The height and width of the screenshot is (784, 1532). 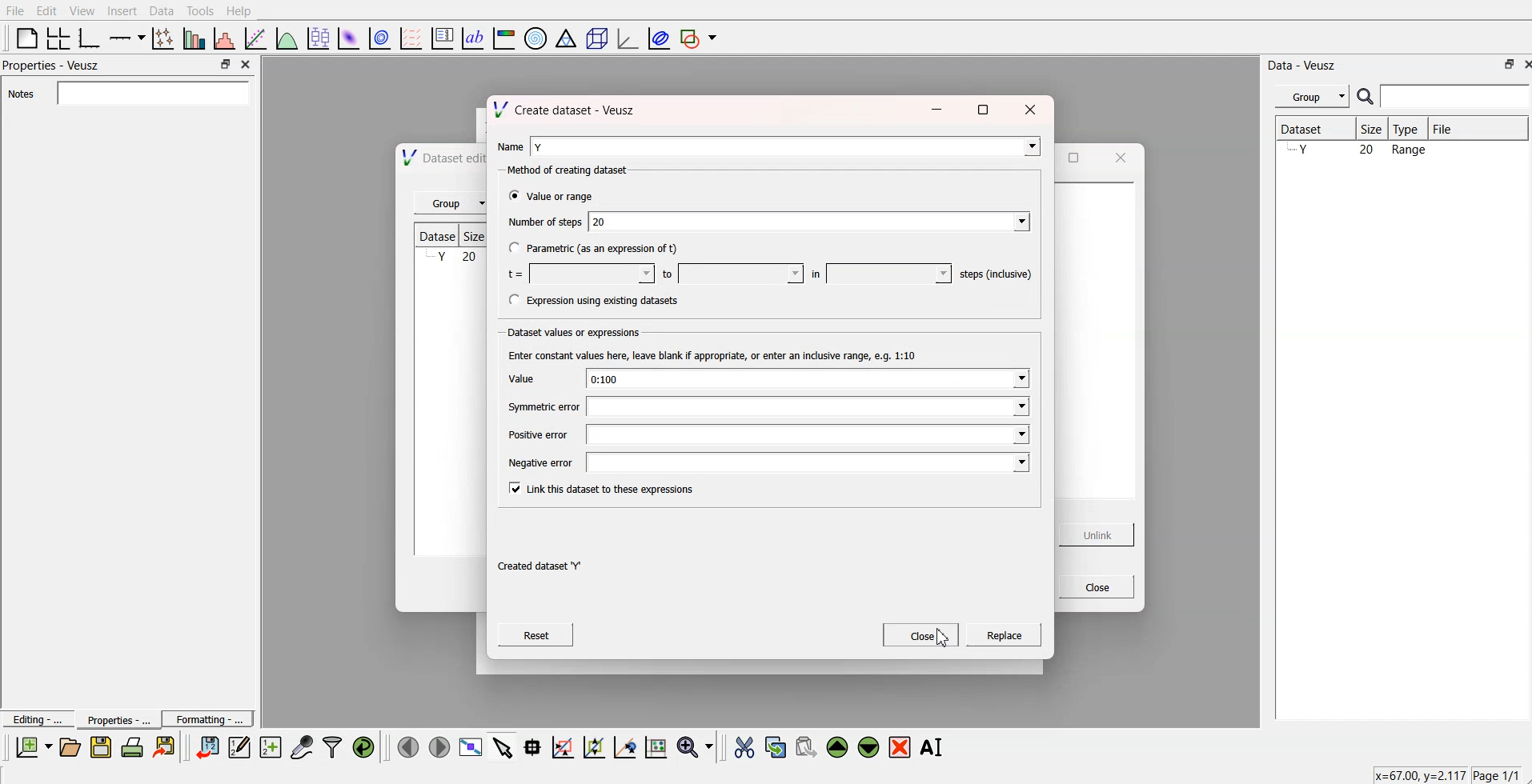 What do you see at coordinates (541, 223) in the screenshot?
I see `Number of steps.` at bounding box center [541, 223].